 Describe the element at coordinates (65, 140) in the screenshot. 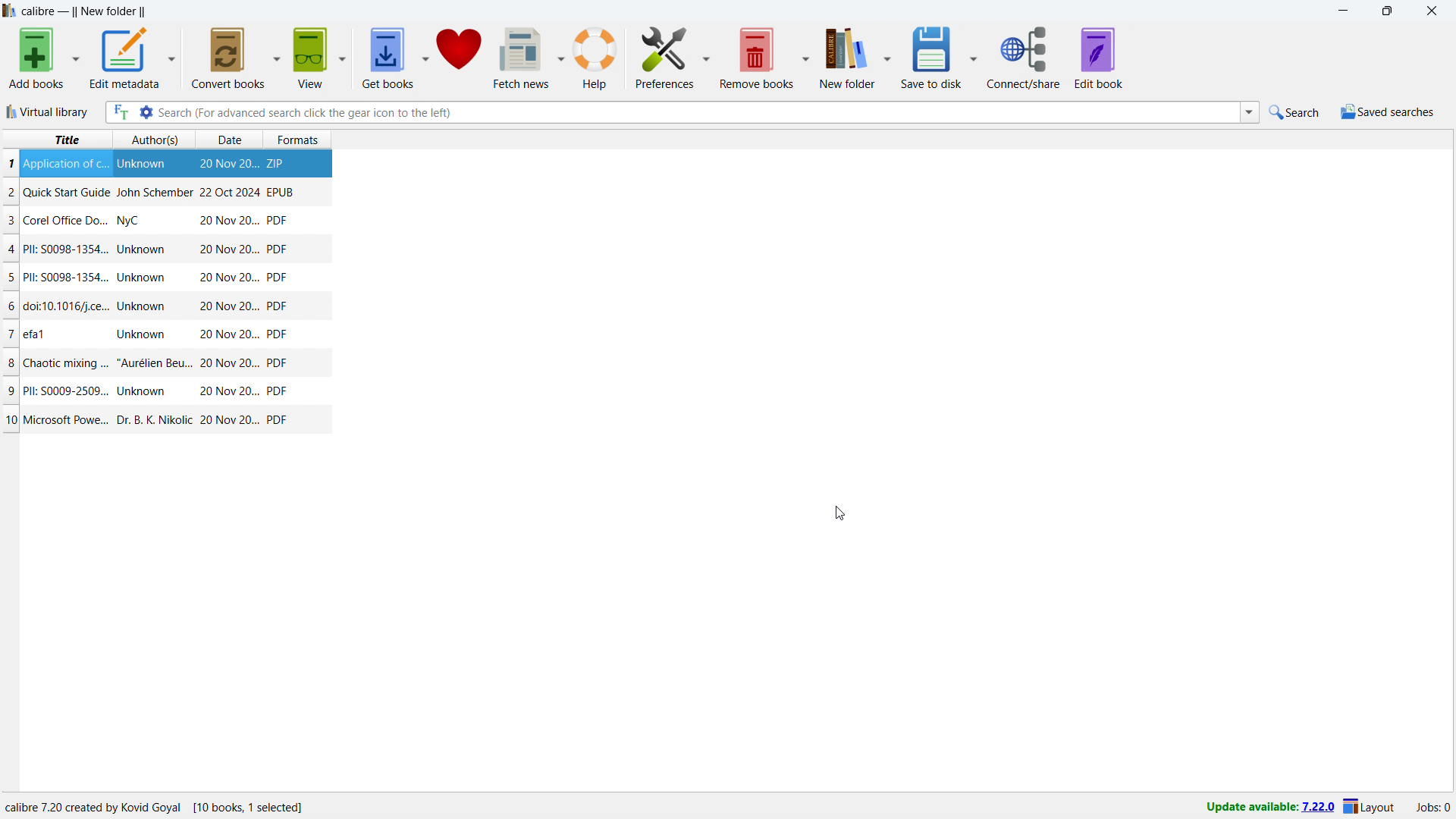

I see `title` at that location.